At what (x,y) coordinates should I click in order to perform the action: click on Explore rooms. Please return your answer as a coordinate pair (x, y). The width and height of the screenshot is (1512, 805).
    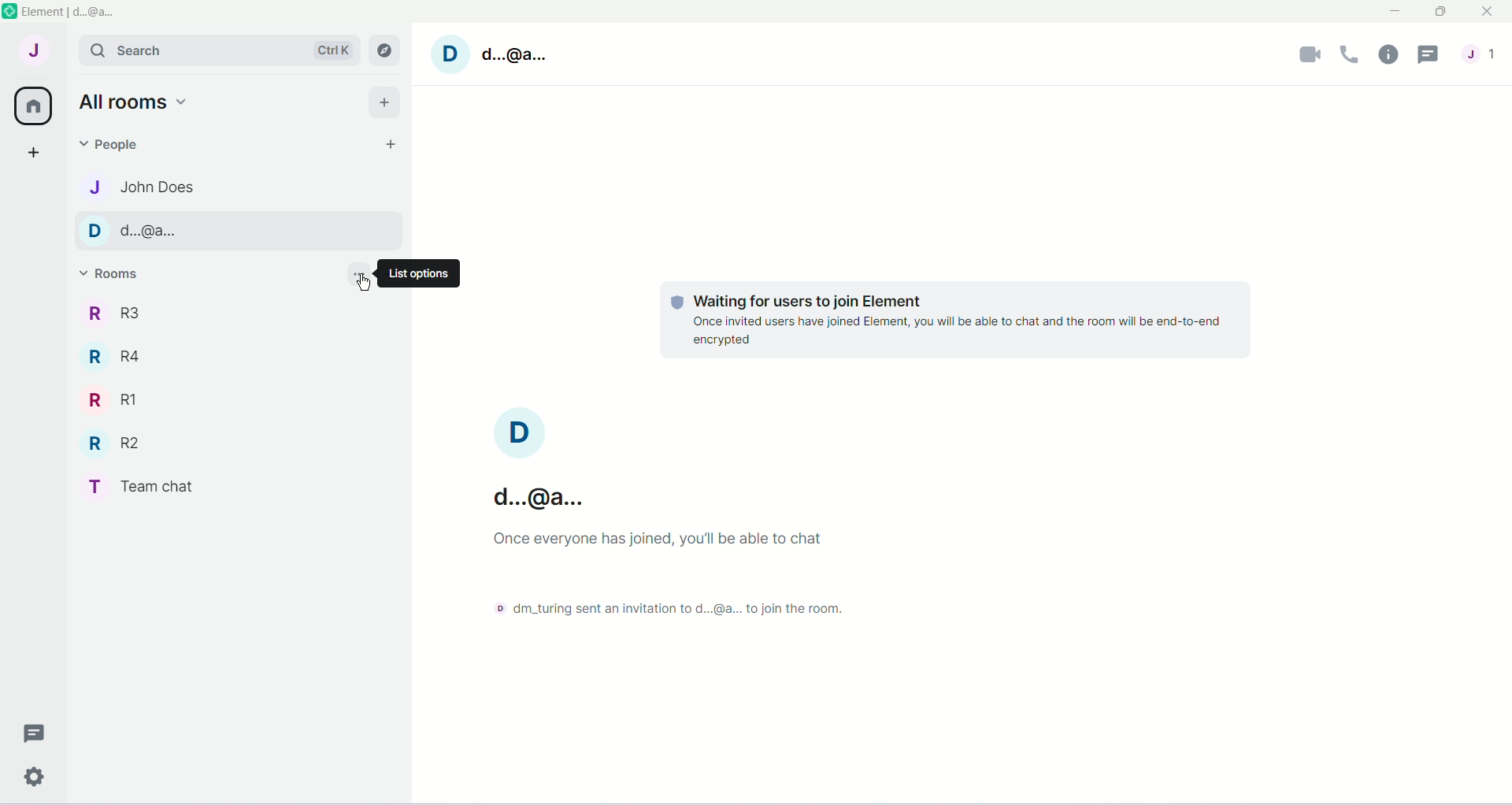
    Looking at the image, I should click on (386, 51).